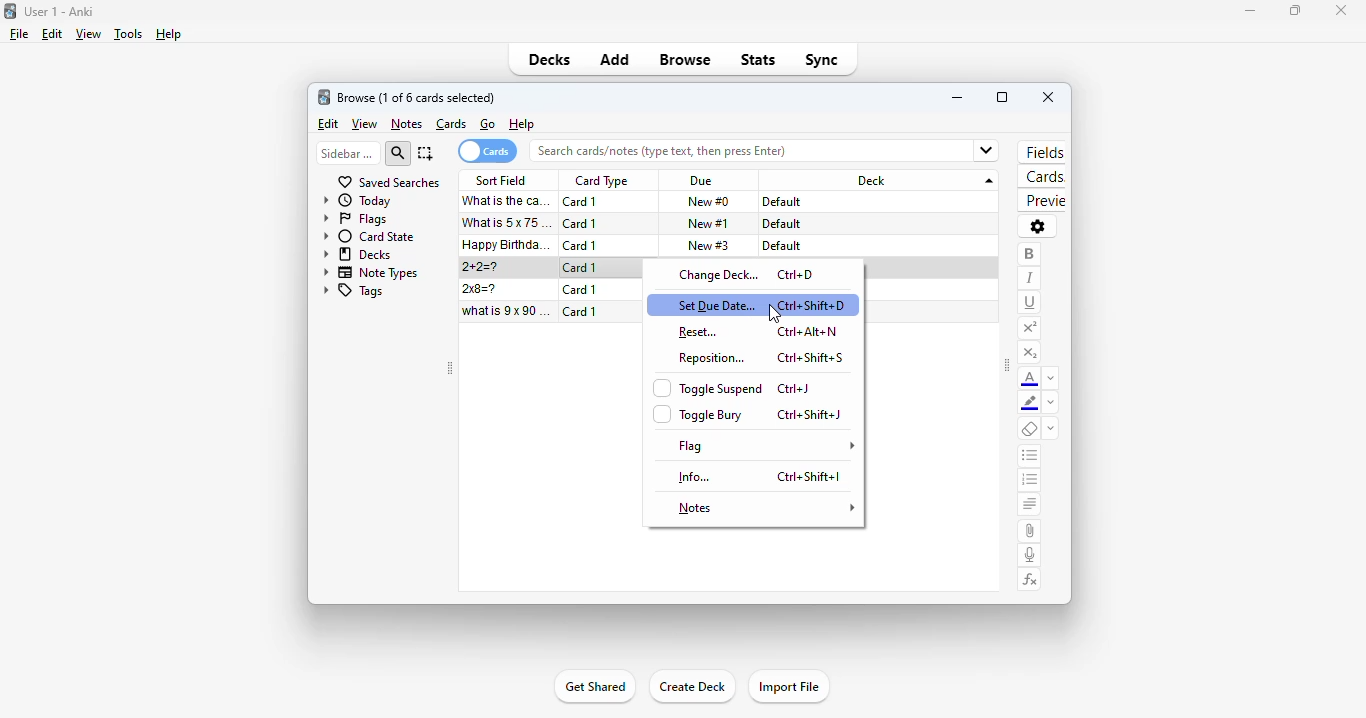  I want to click on maximize, so click(1002, 97).